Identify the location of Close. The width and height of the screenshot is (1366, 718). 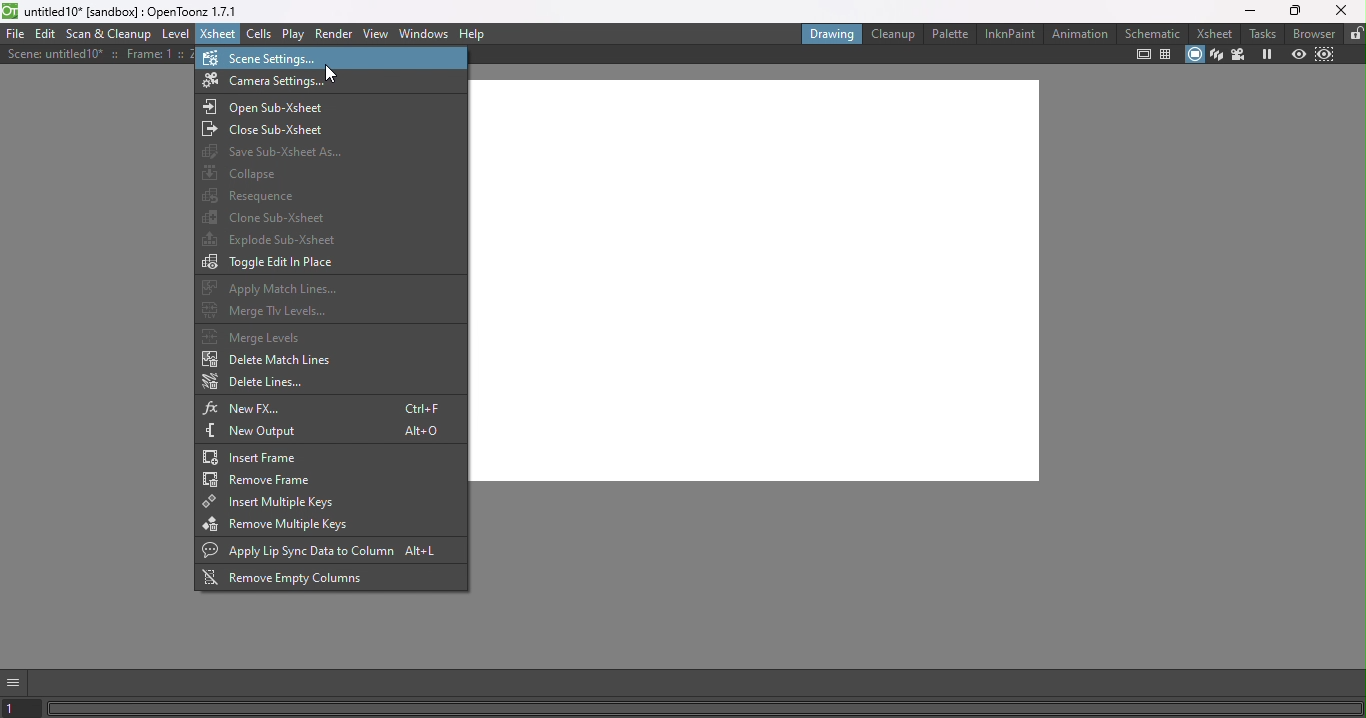
(1343, 13).